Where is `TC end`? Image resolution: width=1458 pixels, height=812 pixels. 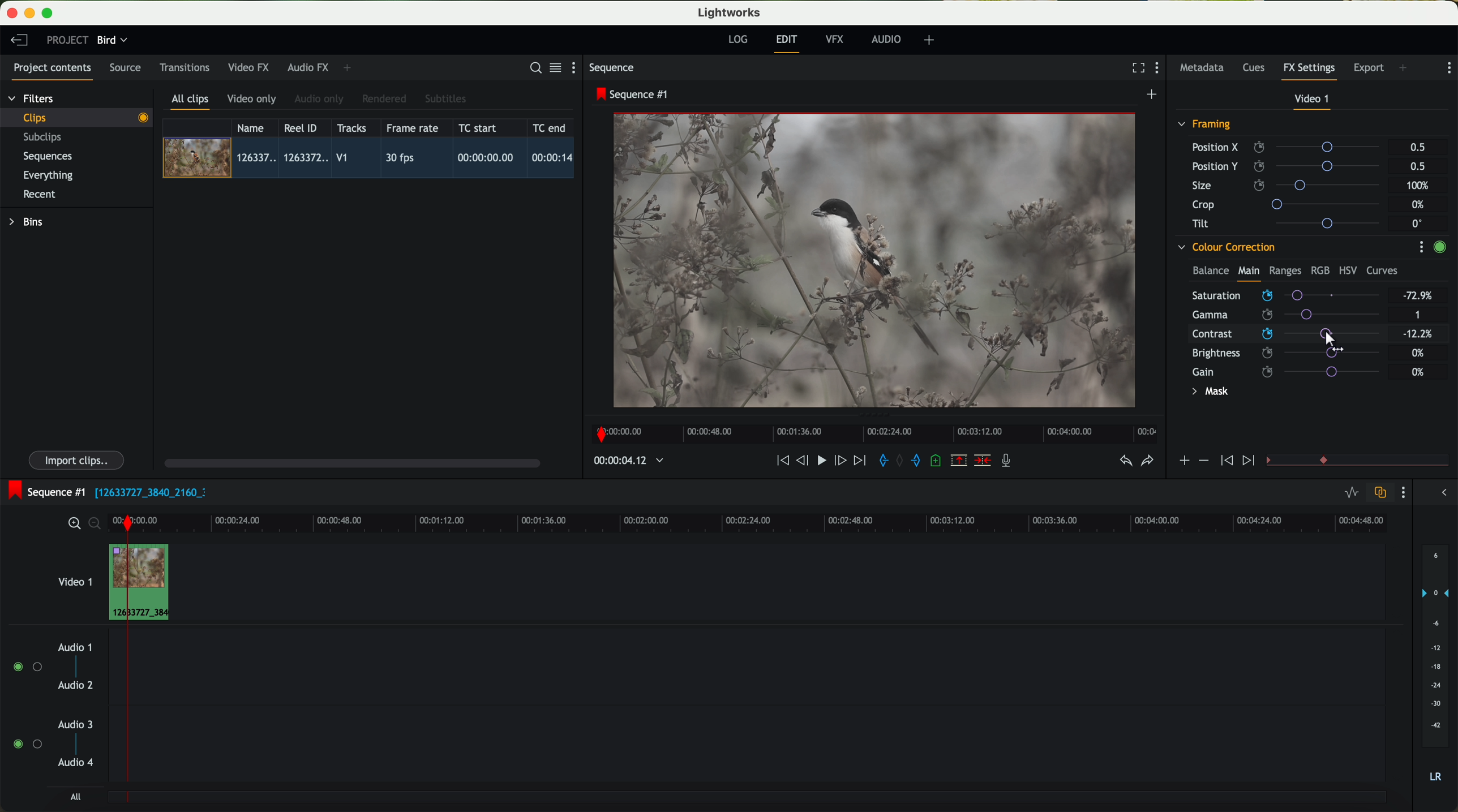 TC end is located at coordinates (550, 127).